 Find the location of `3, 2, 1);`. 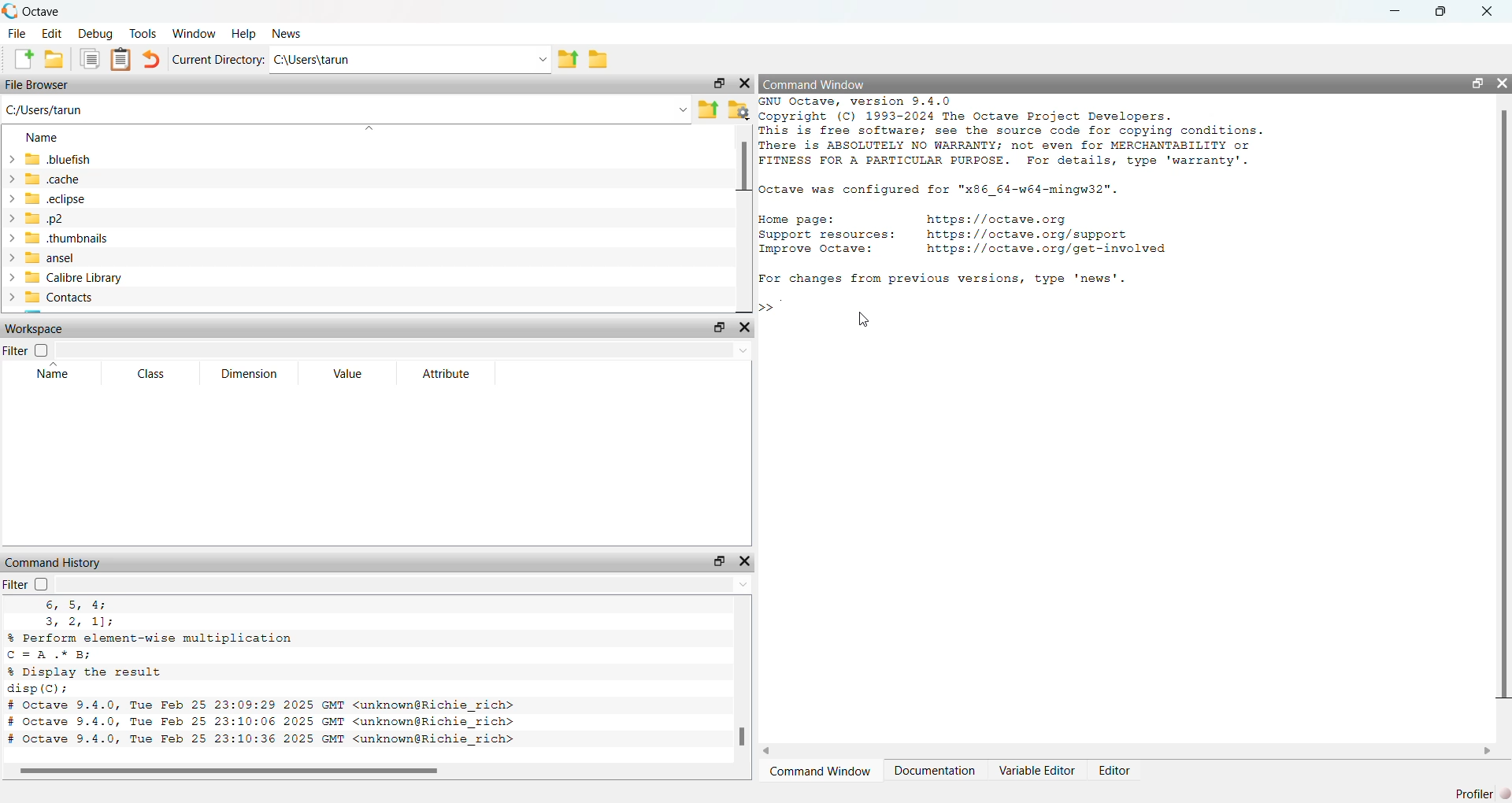

3, 2, 1); is located at coordinates (76, 622).